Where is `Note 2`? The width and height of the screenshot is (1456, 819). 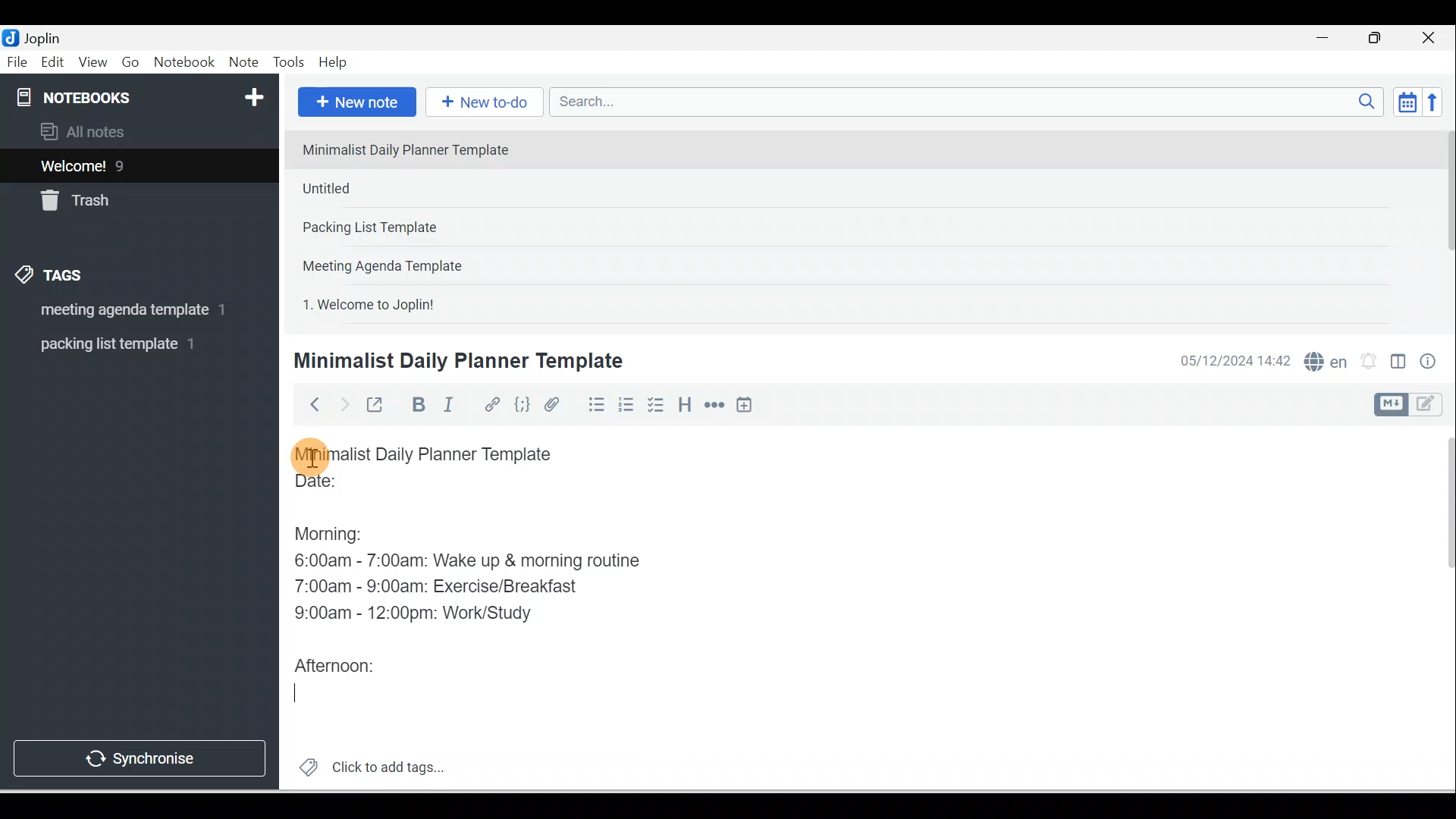 Note 2 is located at coordinates (401, 188).